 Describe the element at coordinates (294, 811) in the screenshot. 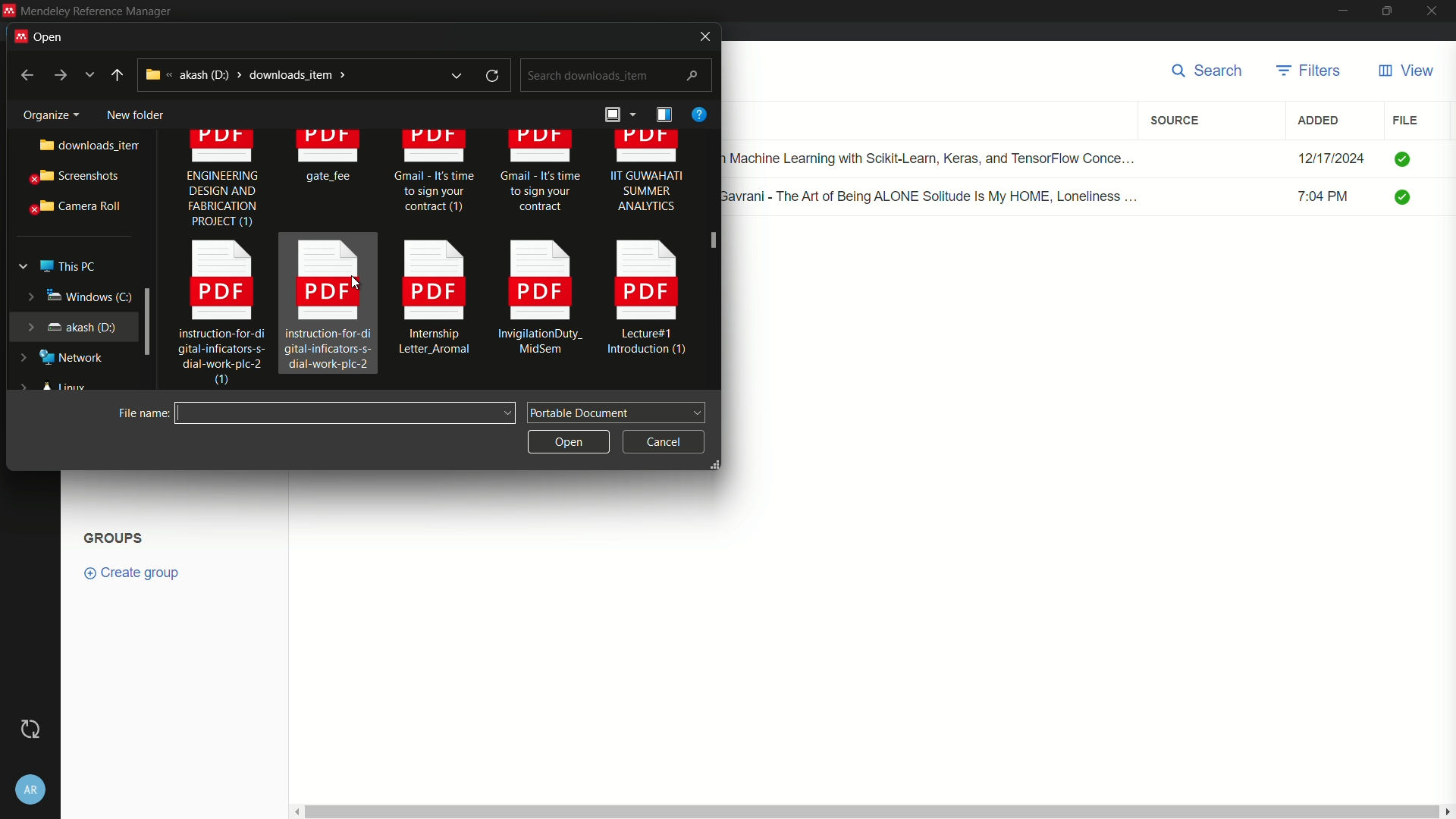

I see `scroll left` at that location.